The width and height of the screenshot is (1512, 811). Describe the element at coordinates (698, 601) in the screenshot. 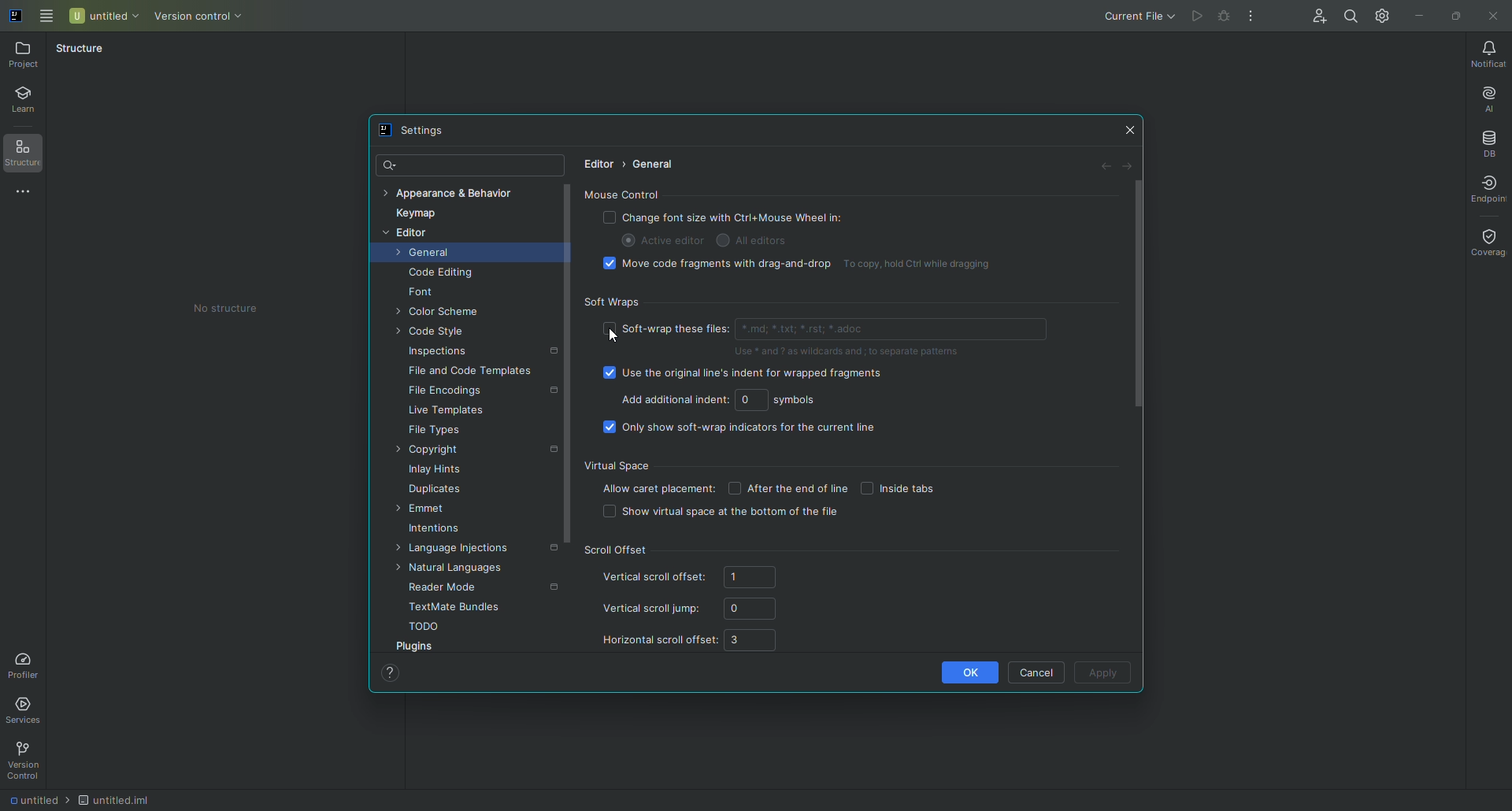

I see `Vertical and horizontal scroll details` at that location.